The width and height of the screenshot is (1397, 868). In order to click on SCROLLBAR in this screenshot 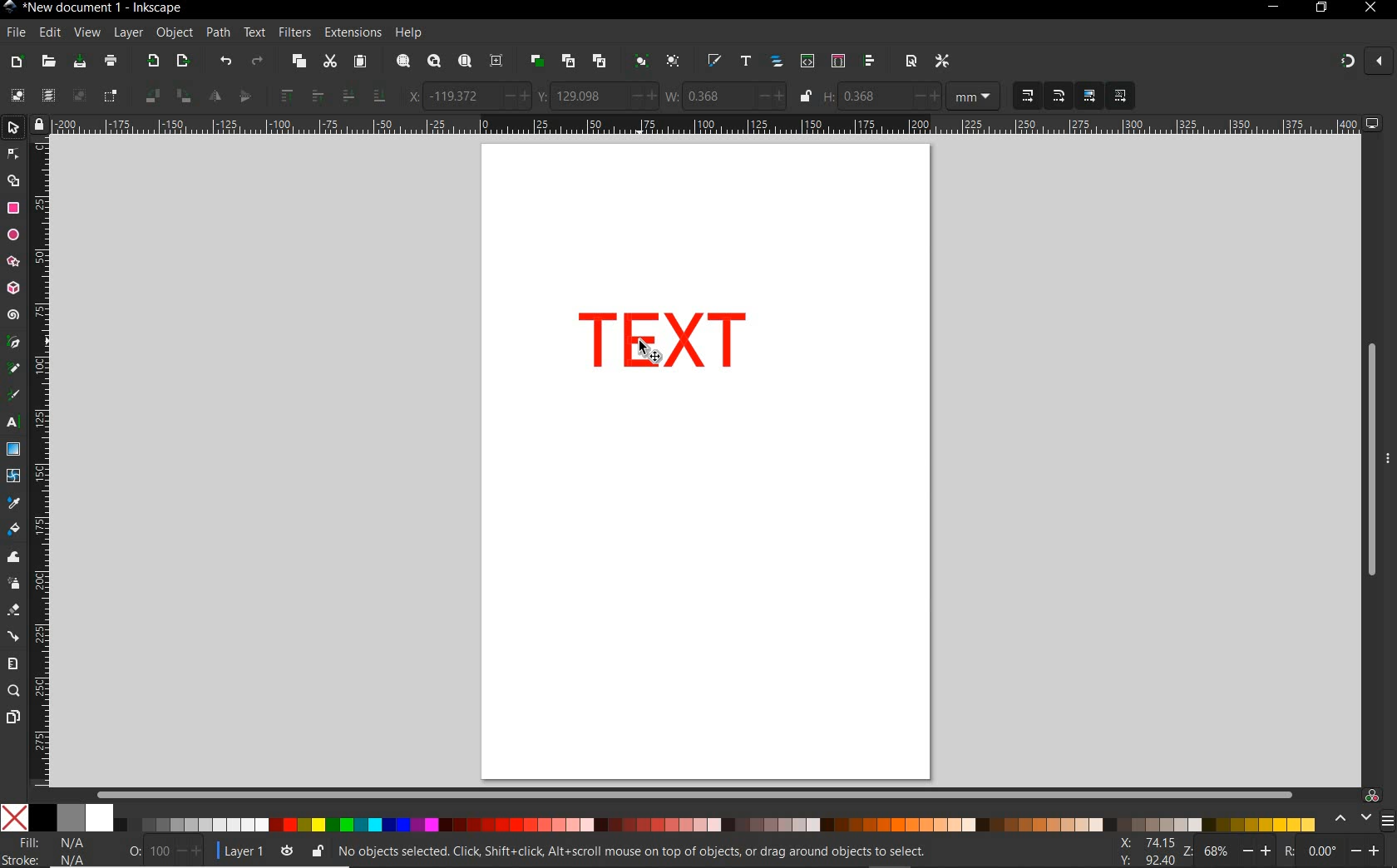, I will do `click(1365, 458)`.